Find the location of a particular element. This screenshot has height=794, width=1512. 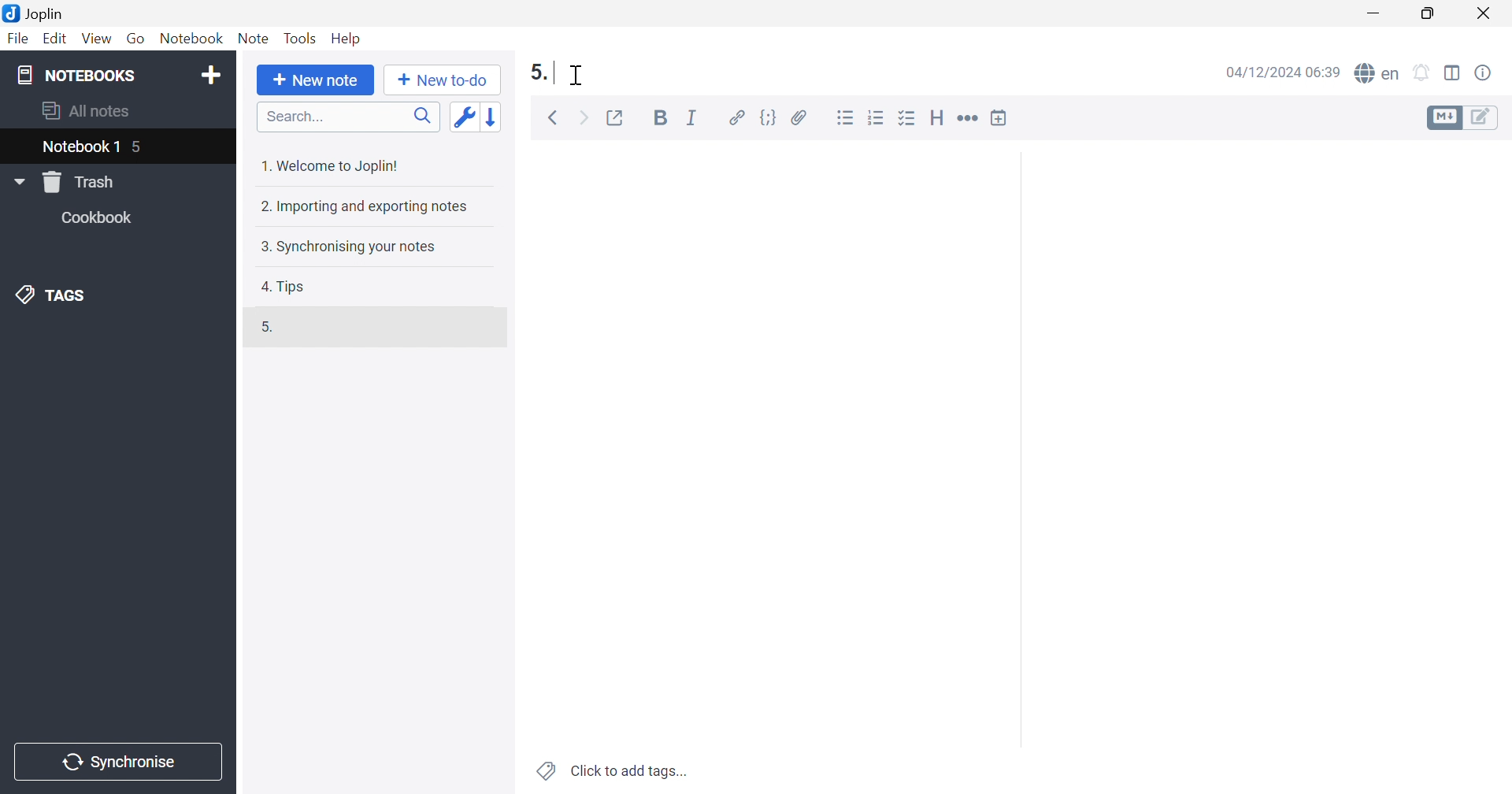

Note is located at coordinates (253, 37).